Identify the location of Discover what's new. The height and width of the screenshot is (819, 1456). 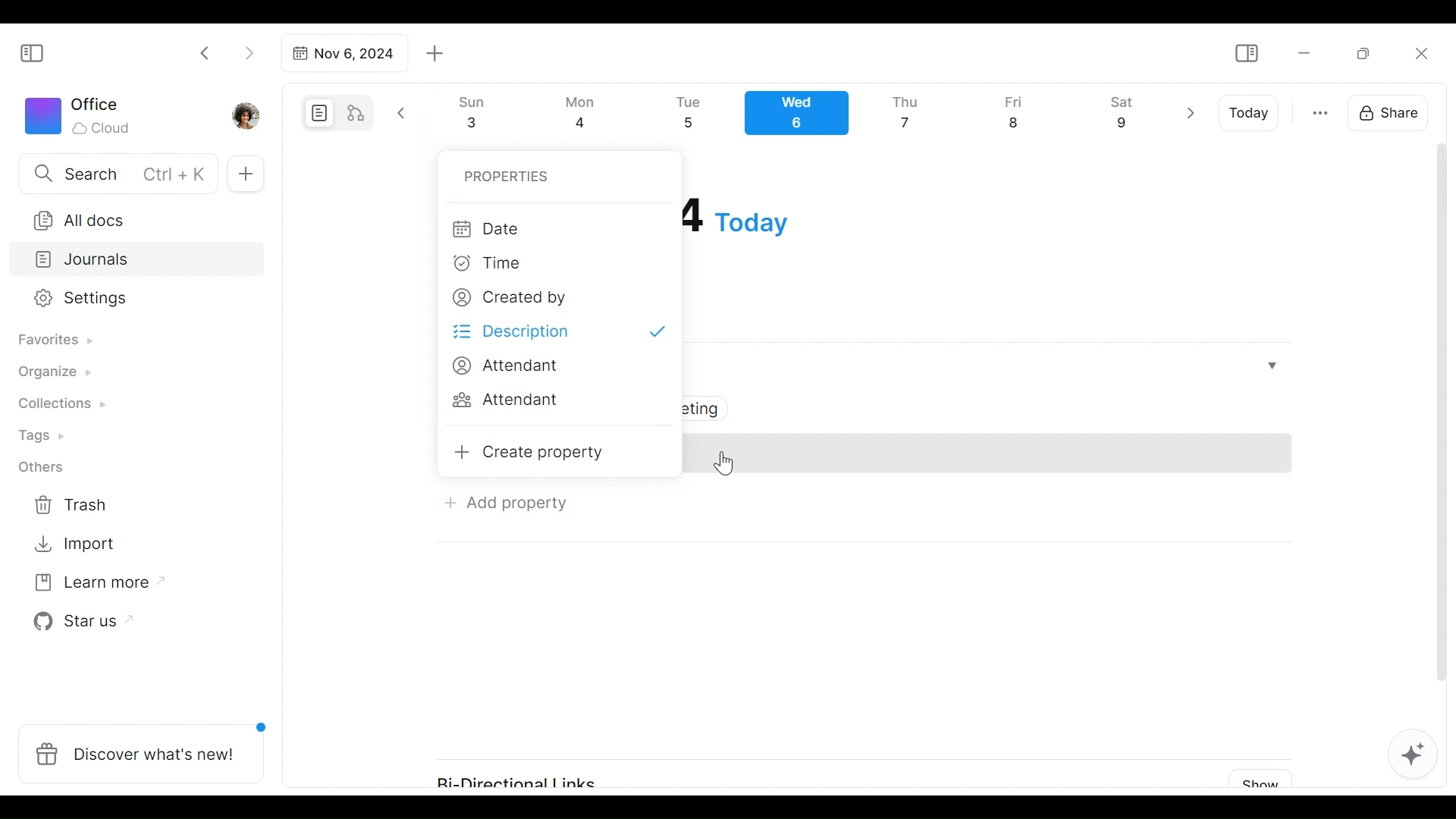
(147, 745).